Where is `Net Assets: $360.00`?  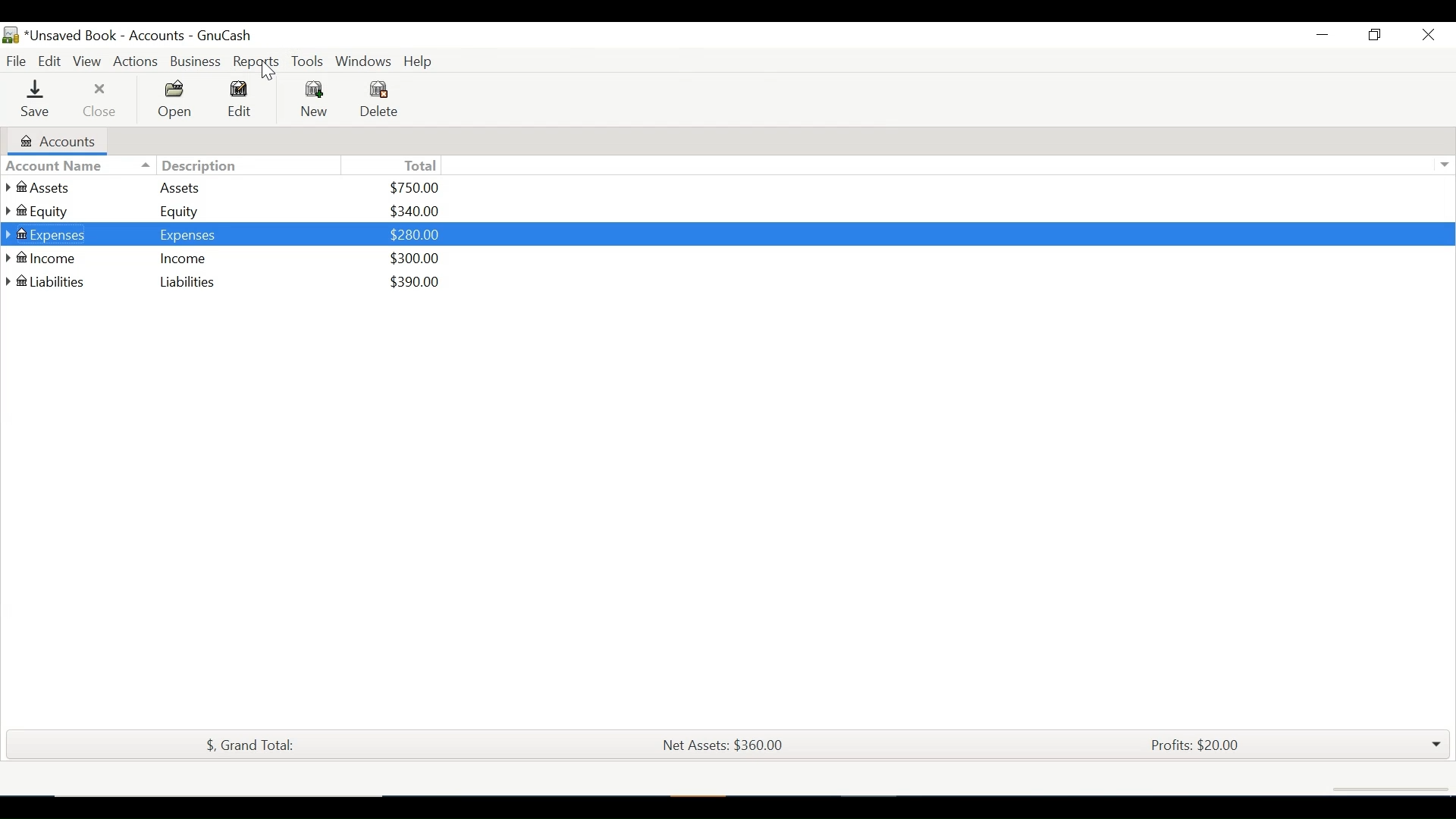
Net Assets: $360.00 is located at coordinates (726, 744).